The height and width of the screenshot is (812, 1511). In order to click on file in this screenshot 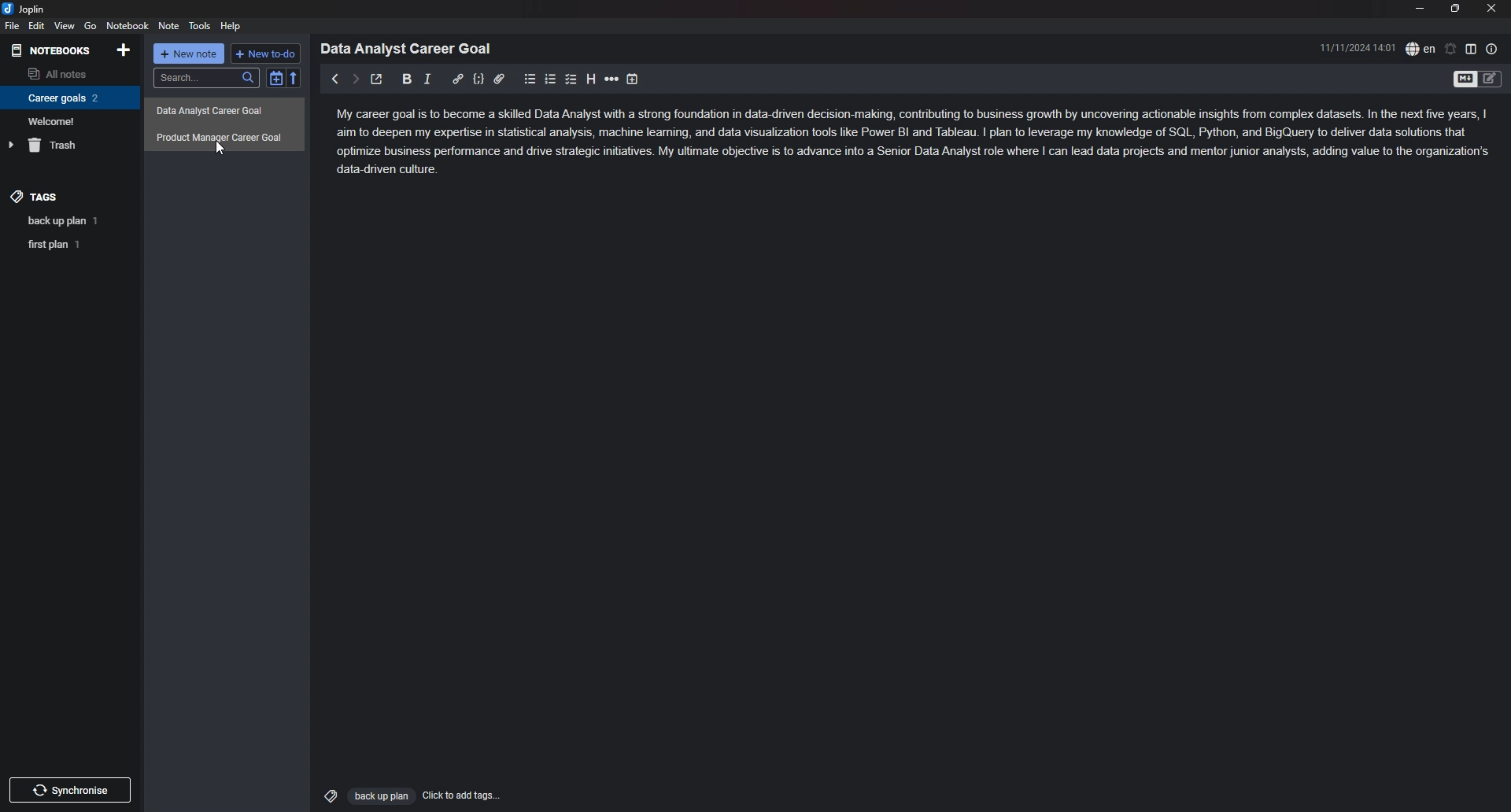, I will do `click(13, 25)`.